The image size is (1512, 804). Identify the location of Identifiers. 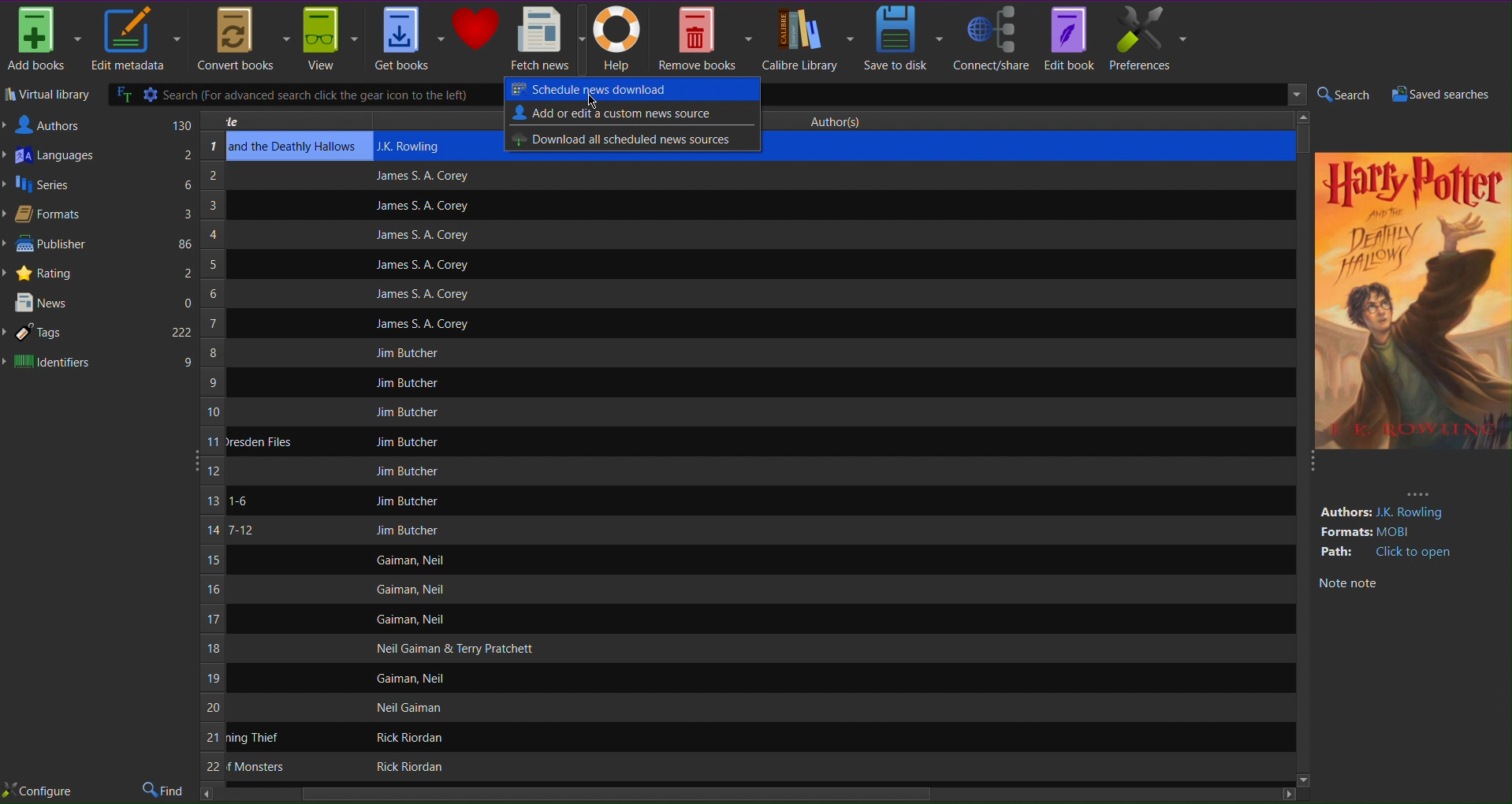
(99, 362).